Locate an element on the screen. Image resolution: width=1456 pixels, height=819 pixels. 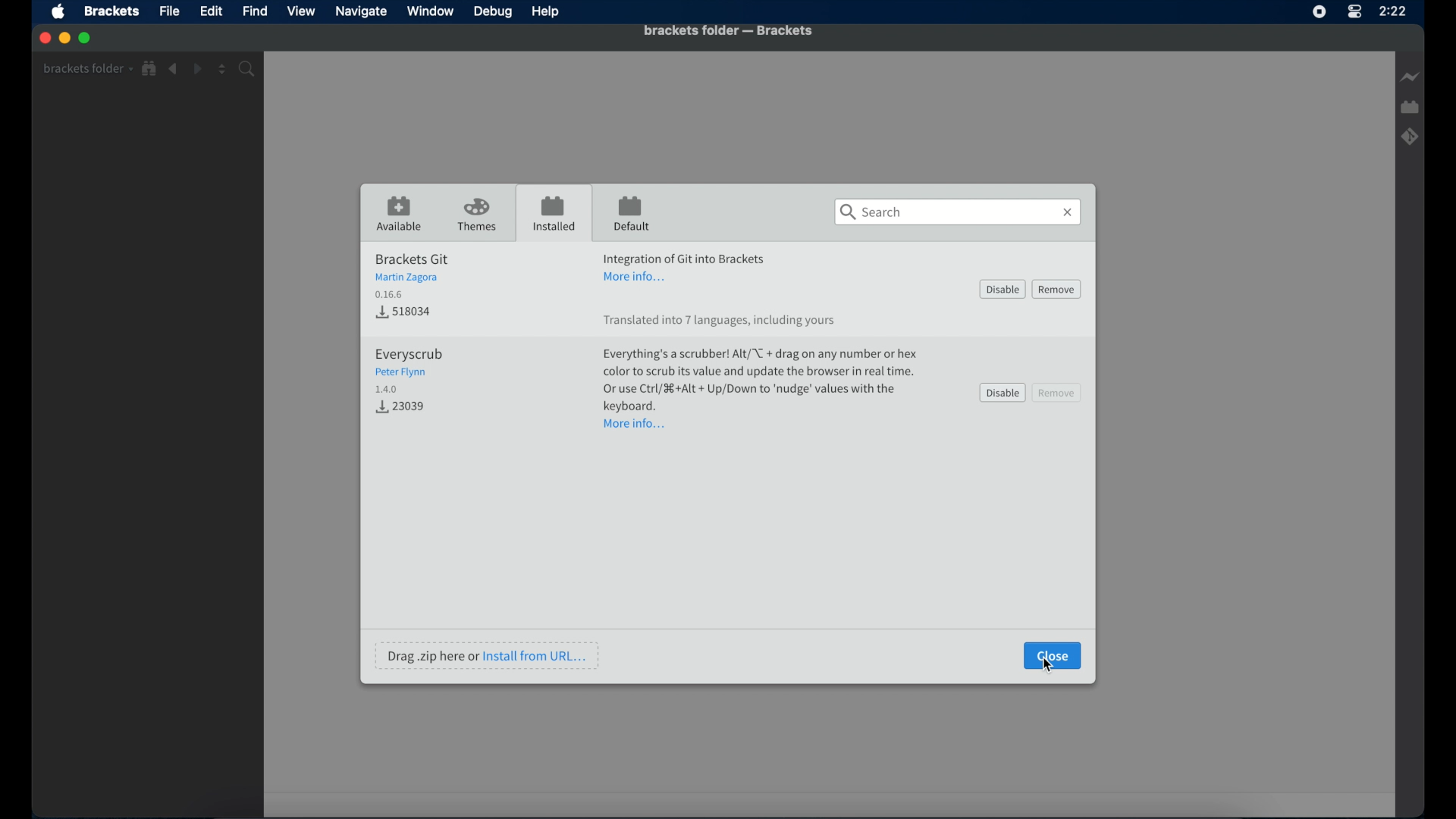
backward is located at coordinates (174, 69).